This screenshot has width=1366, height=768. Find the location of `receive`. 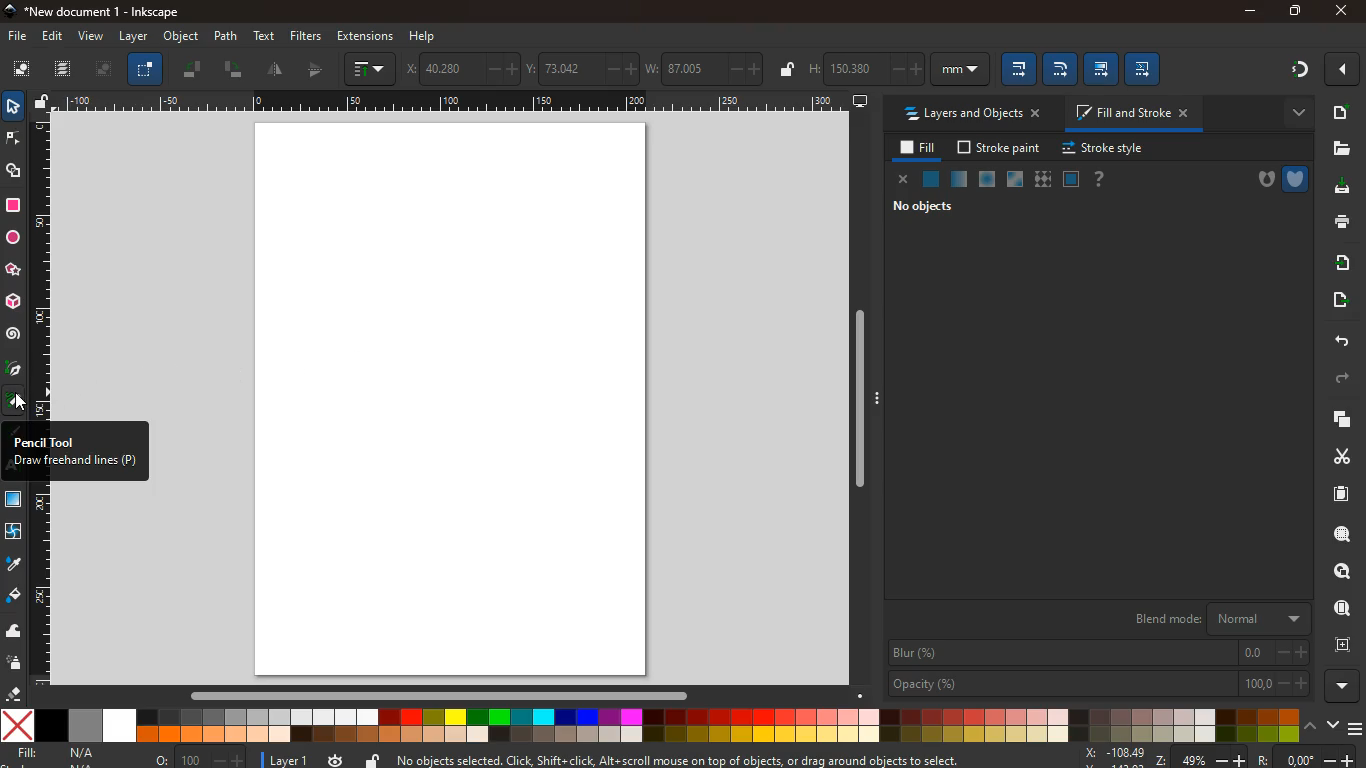

receive is located at coordinates (1337, 263).